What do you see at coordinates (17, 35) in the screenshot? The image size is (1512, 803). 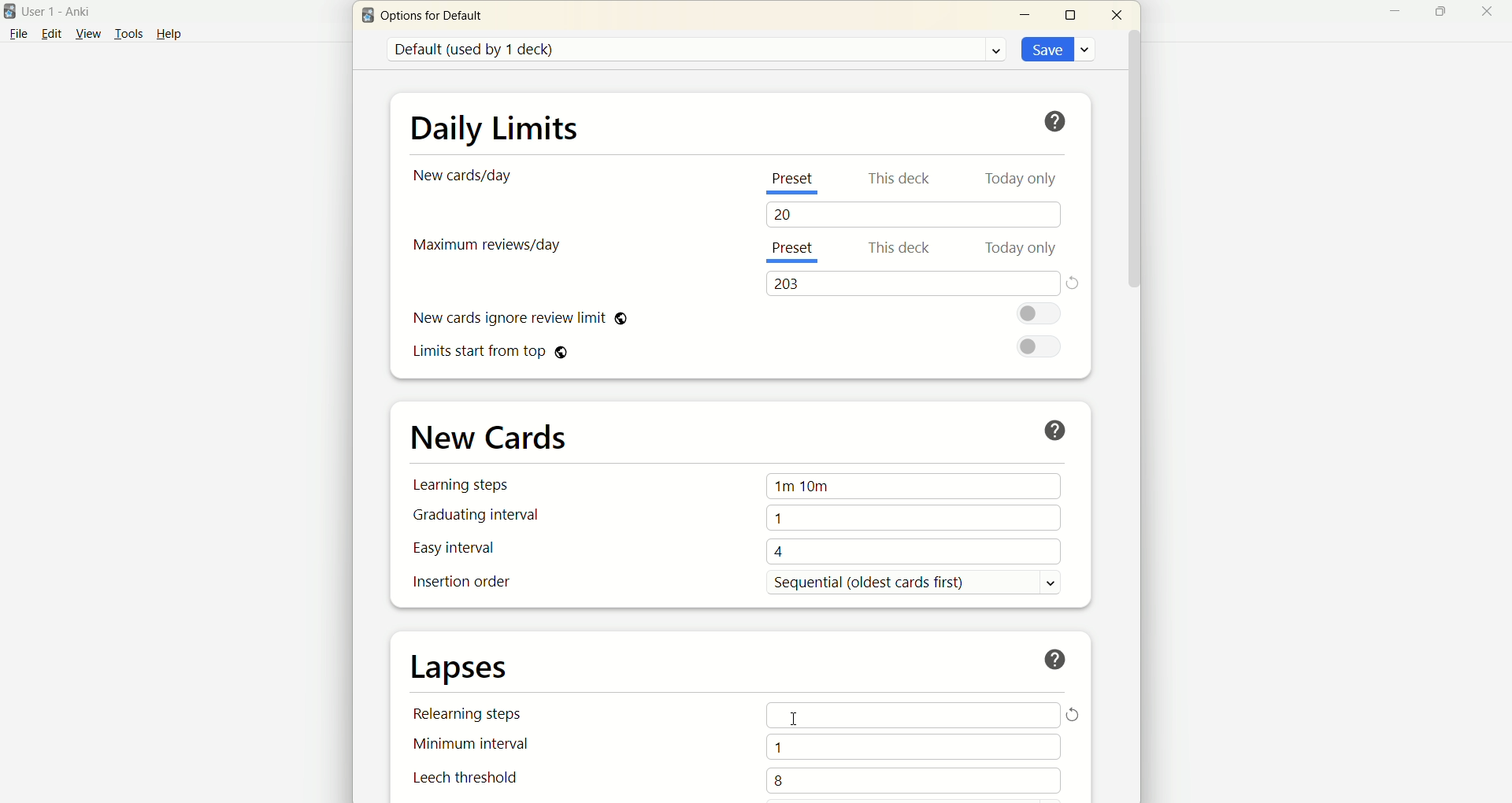 I see `file` at bounding box center [17, 35].